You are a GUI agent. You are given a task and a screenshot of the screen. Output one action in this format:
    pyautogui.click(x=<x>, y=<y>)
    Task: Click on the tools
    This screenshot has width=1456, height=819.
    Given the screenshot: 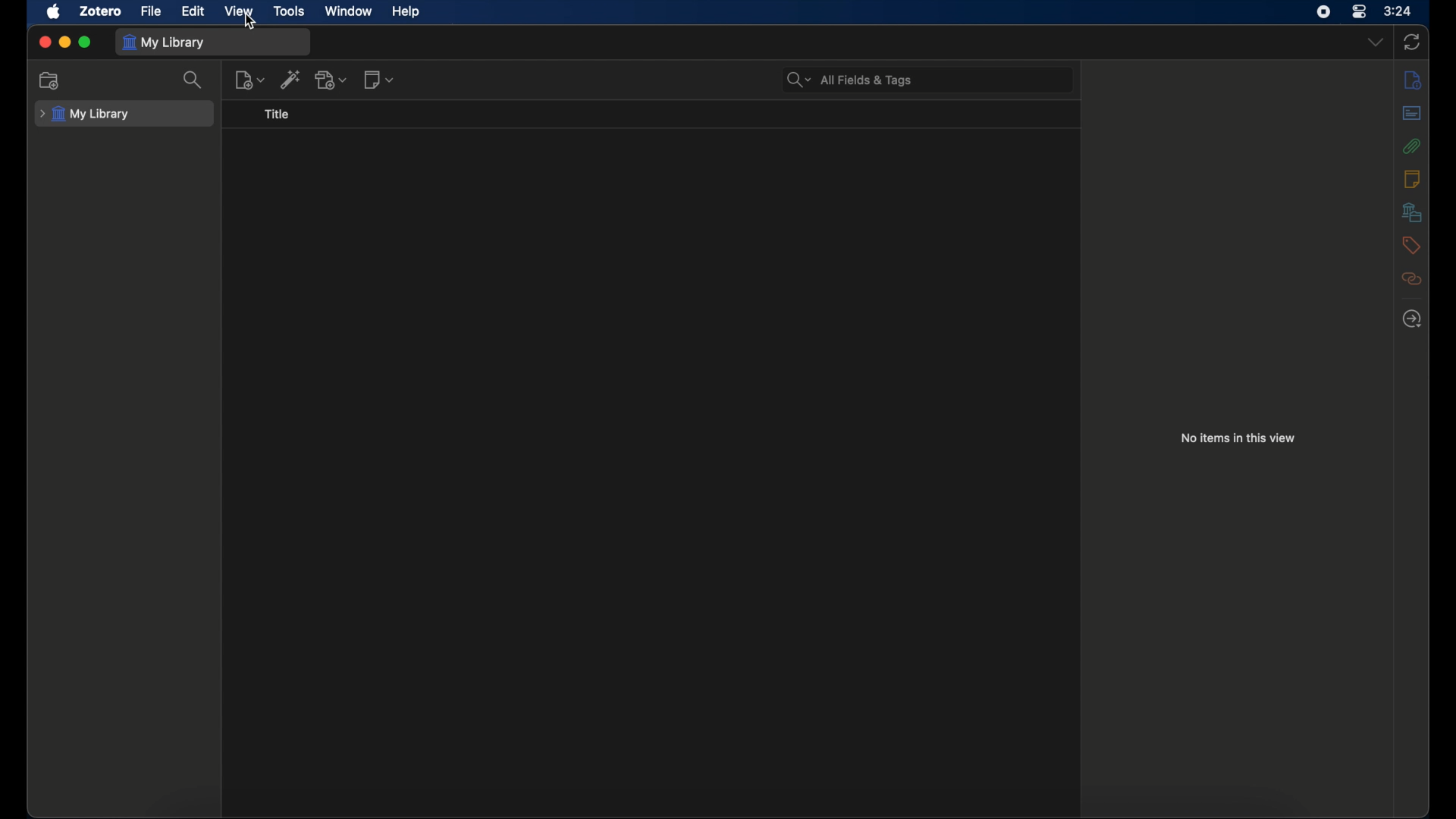 What is the action you would take?
    pyautogui.click(x=290, y=12)
    